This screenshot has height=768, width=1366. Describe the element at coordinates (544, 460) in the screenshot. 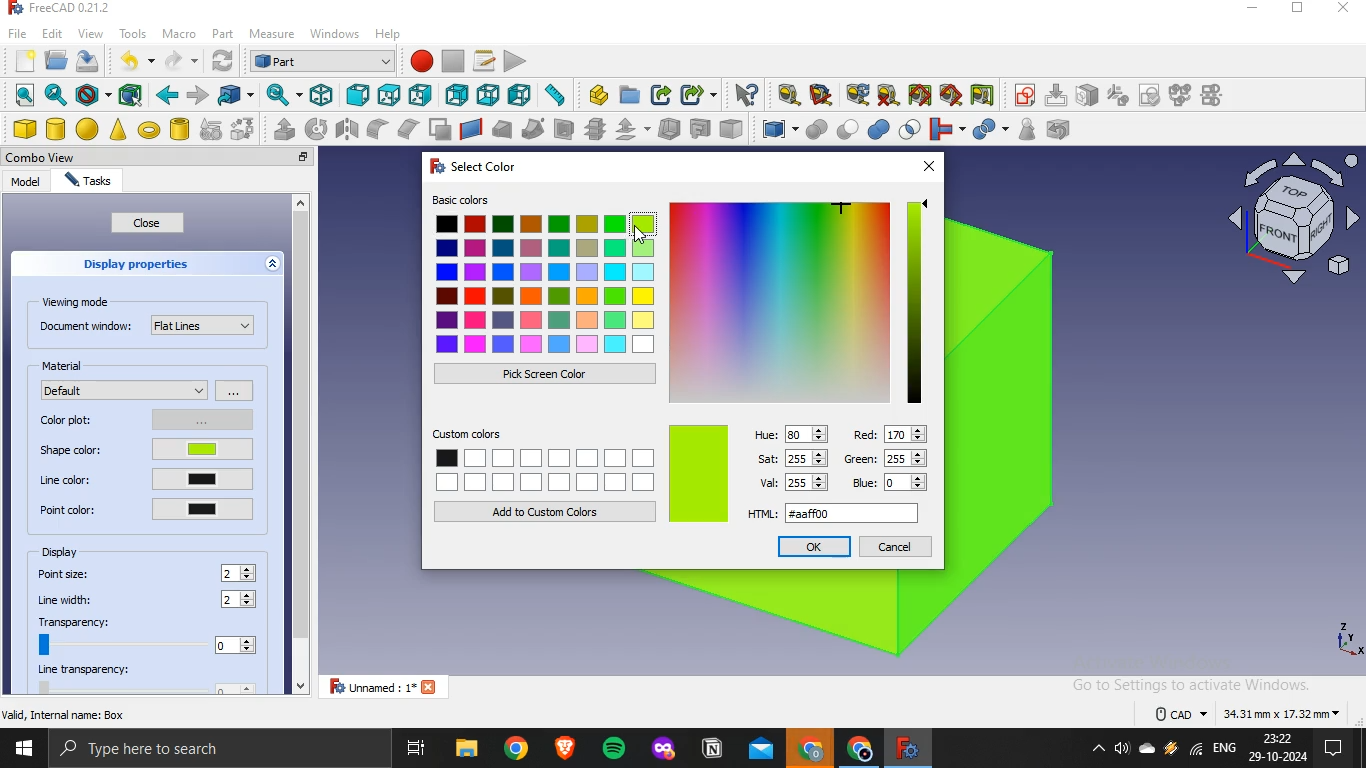

I see `custom colors` at that location.